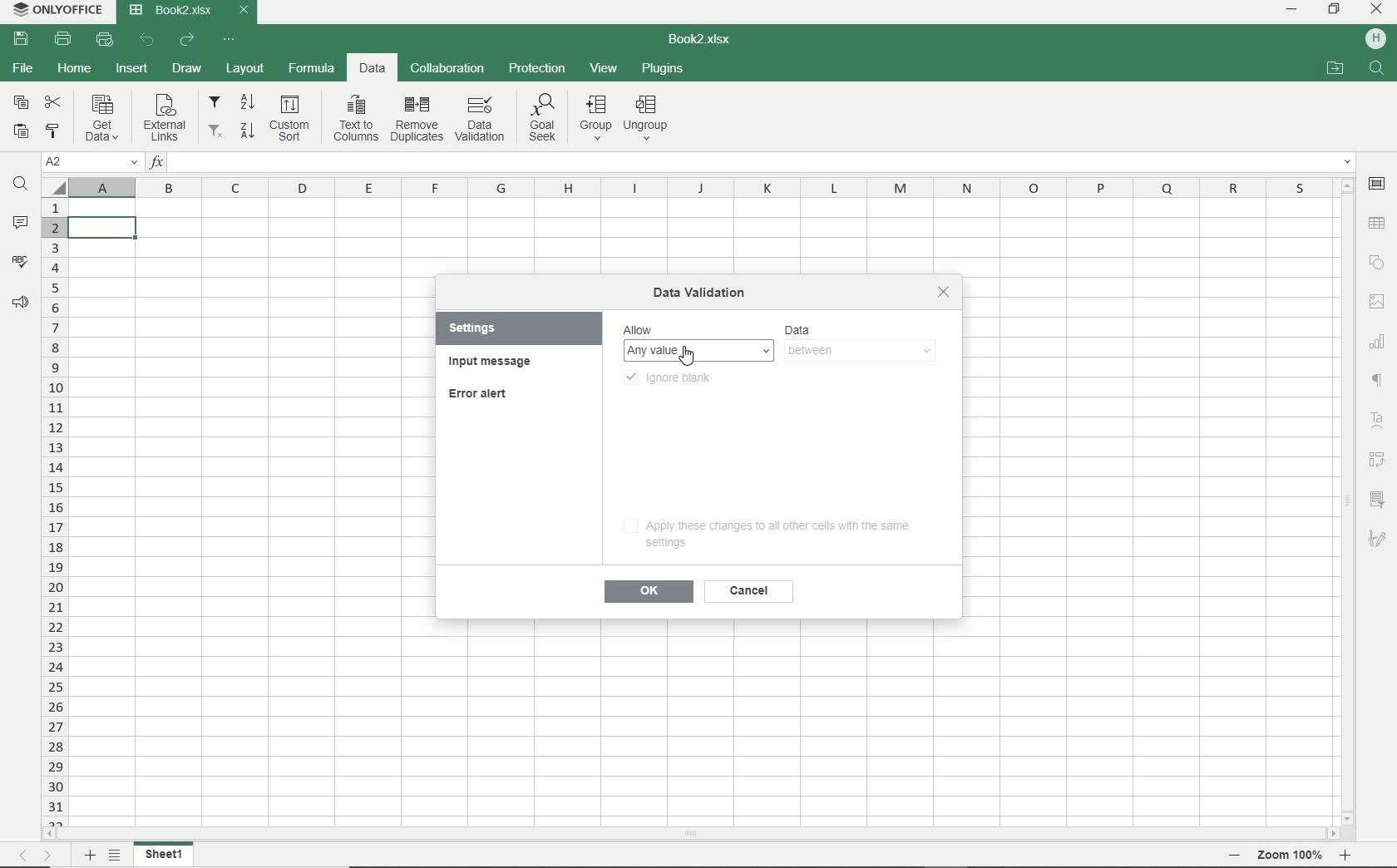  Describe the element at coordinates (748, 591) in the screenshot. I see `cancel` at that location.